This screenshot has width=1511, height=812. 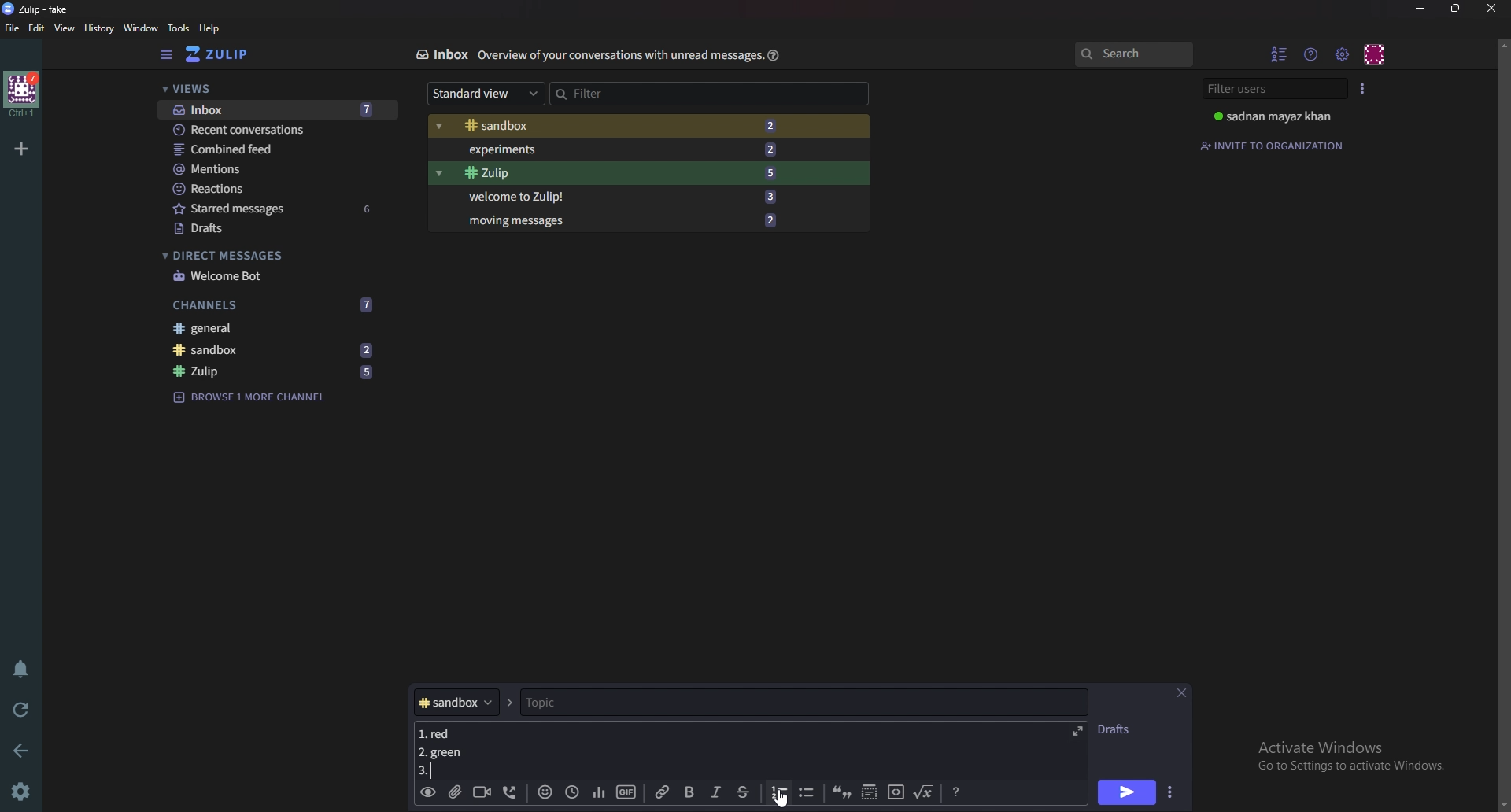 I want to click on Reload, so click(x=24, y=708).